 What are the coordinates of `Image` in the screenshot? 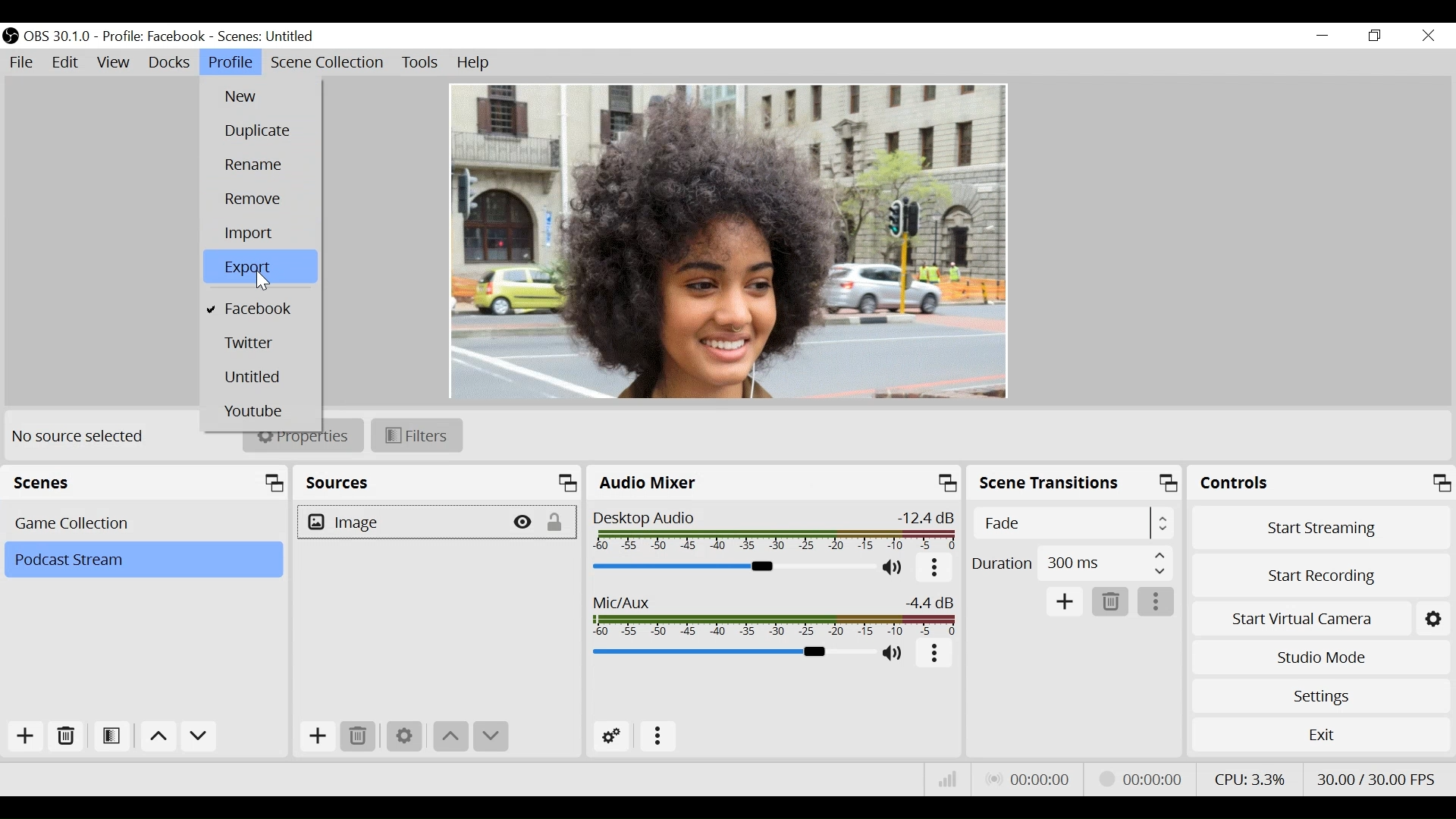 It's located at (402, 523).